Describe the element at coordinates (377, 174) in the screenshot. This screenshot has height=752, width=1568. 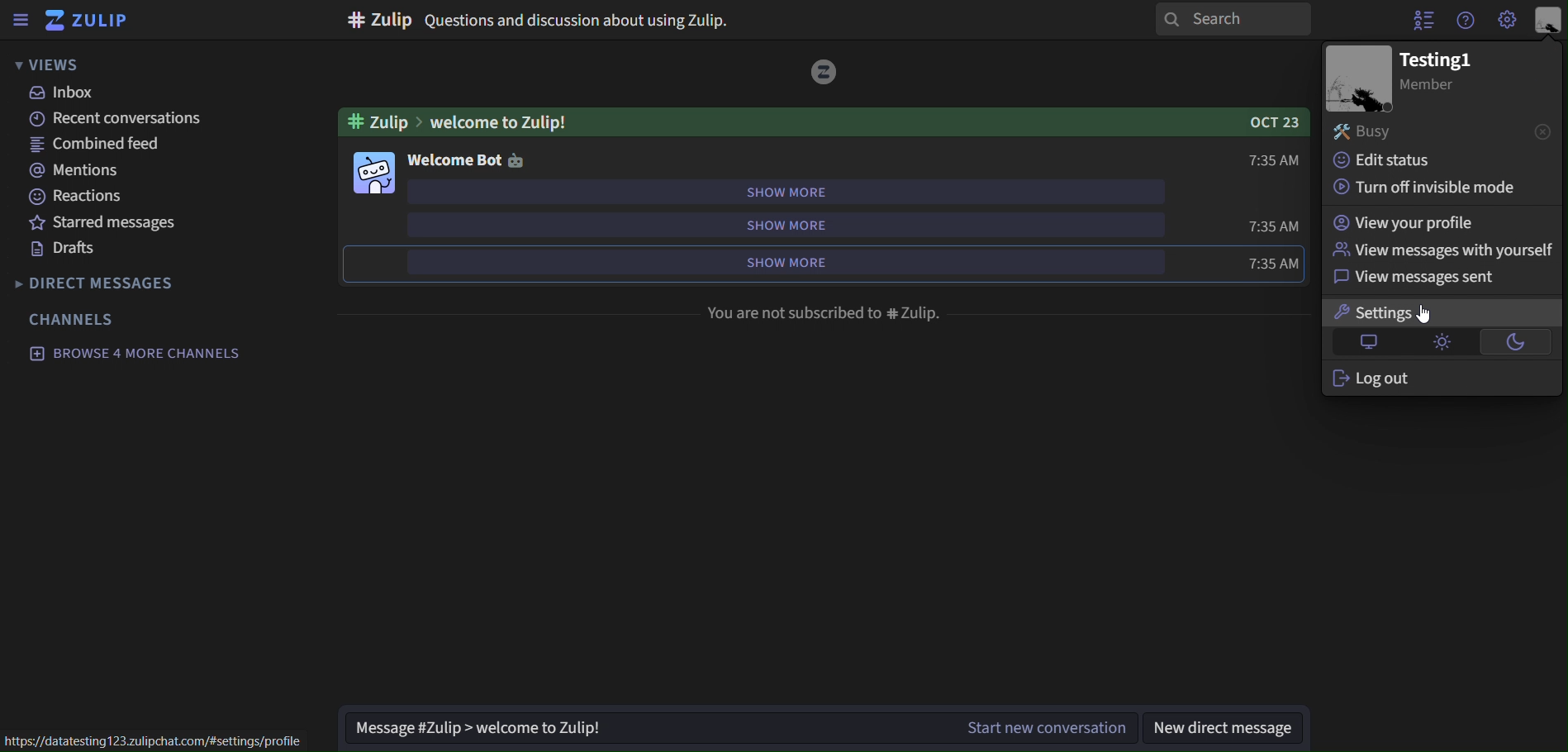
I see `image` at that location.